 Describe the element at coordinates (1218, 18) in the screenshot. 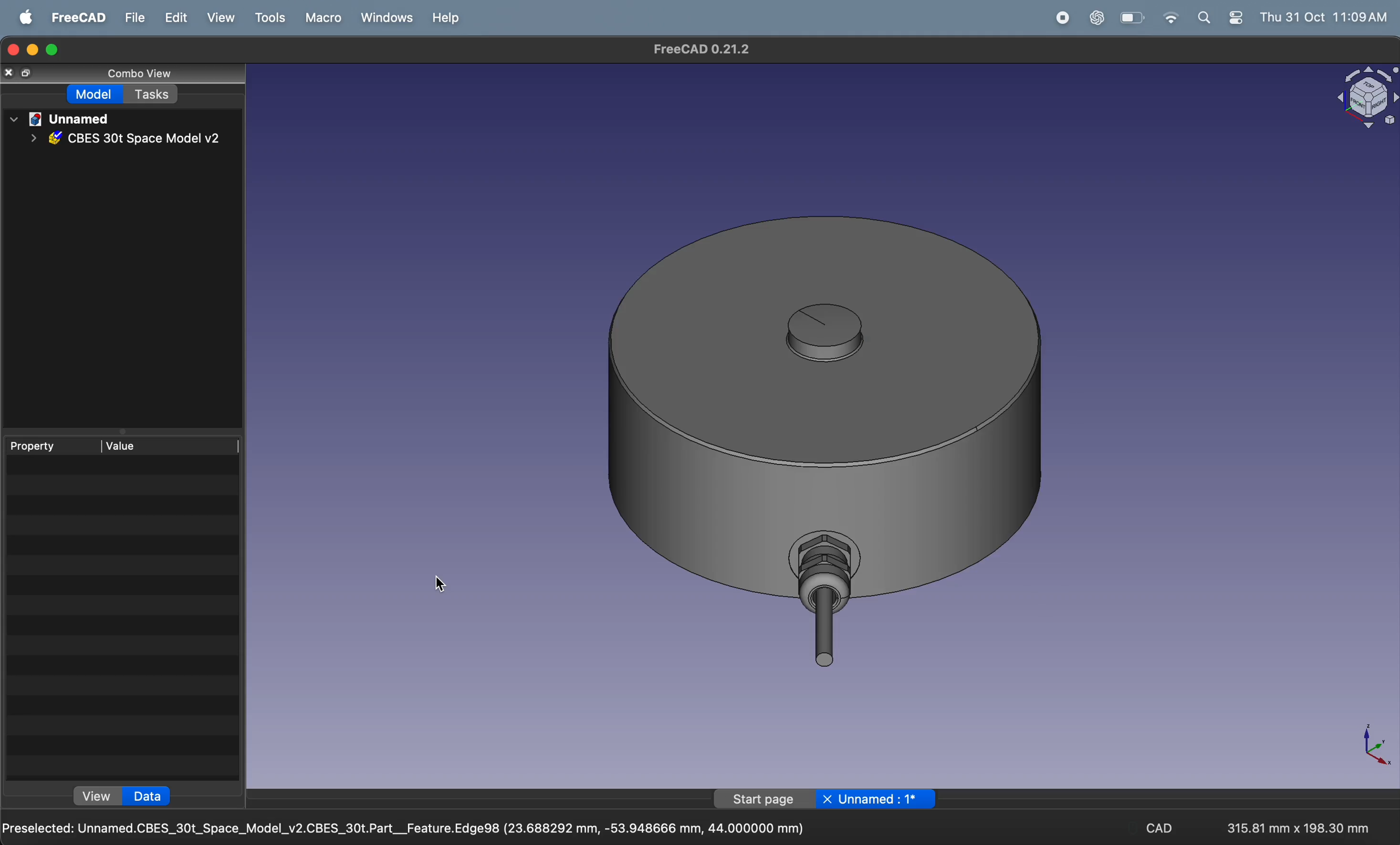

I see `apple widgets` at that location.